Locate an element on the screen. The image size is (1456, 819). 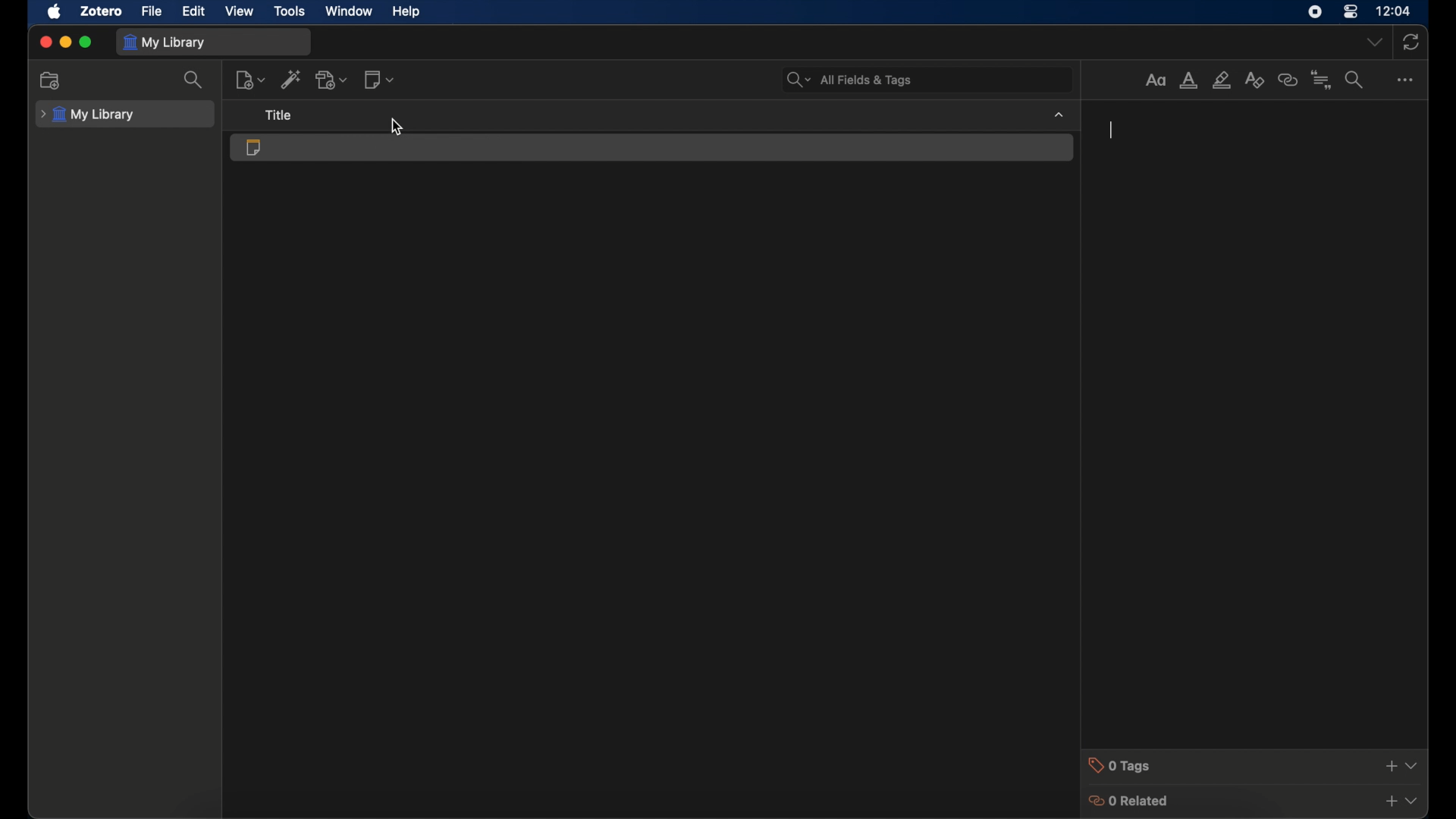
0 tags is located at coordinates (1256, 764).